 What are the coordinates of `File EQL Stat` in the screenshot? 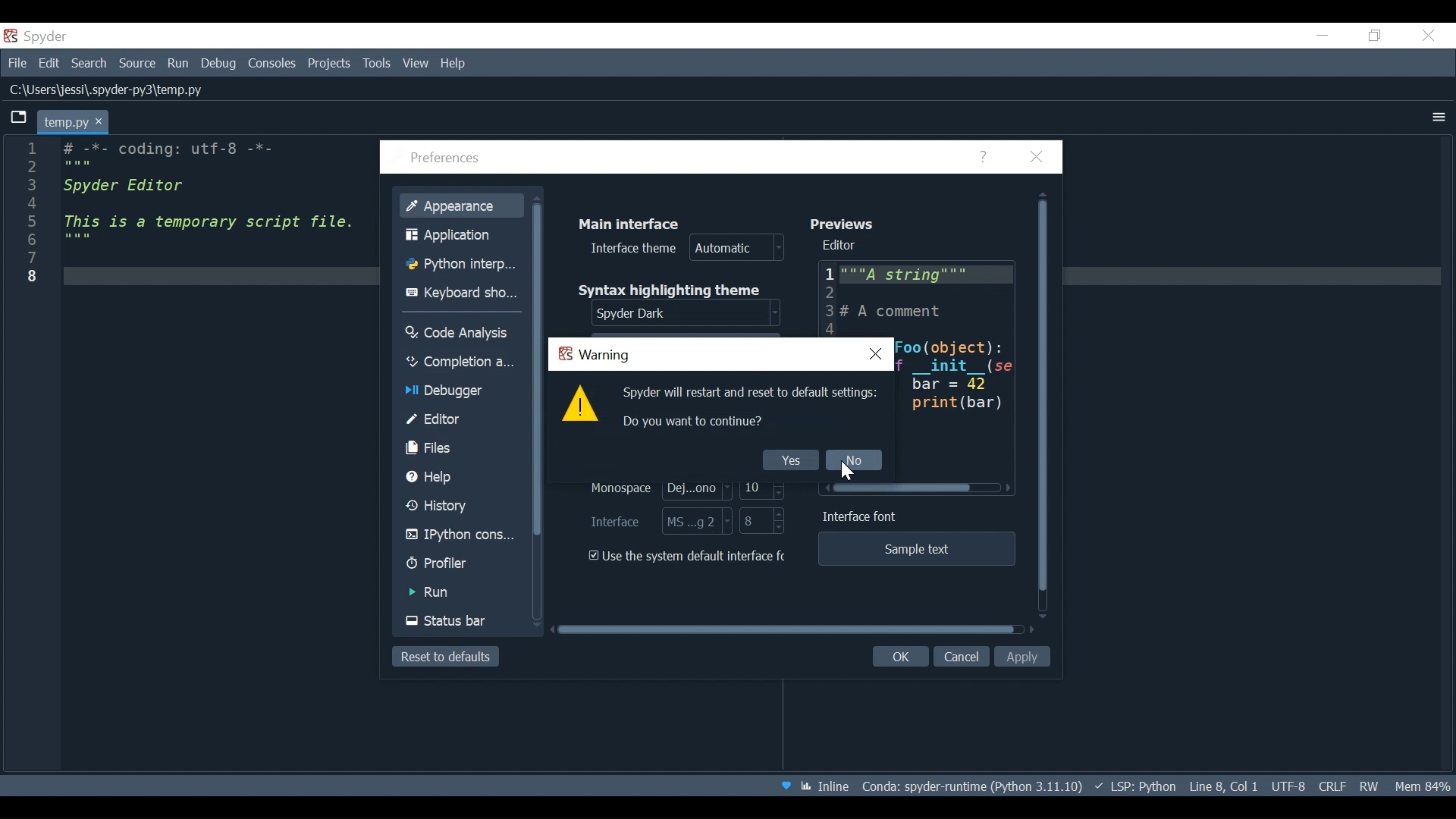 It's located at (1332, 785).